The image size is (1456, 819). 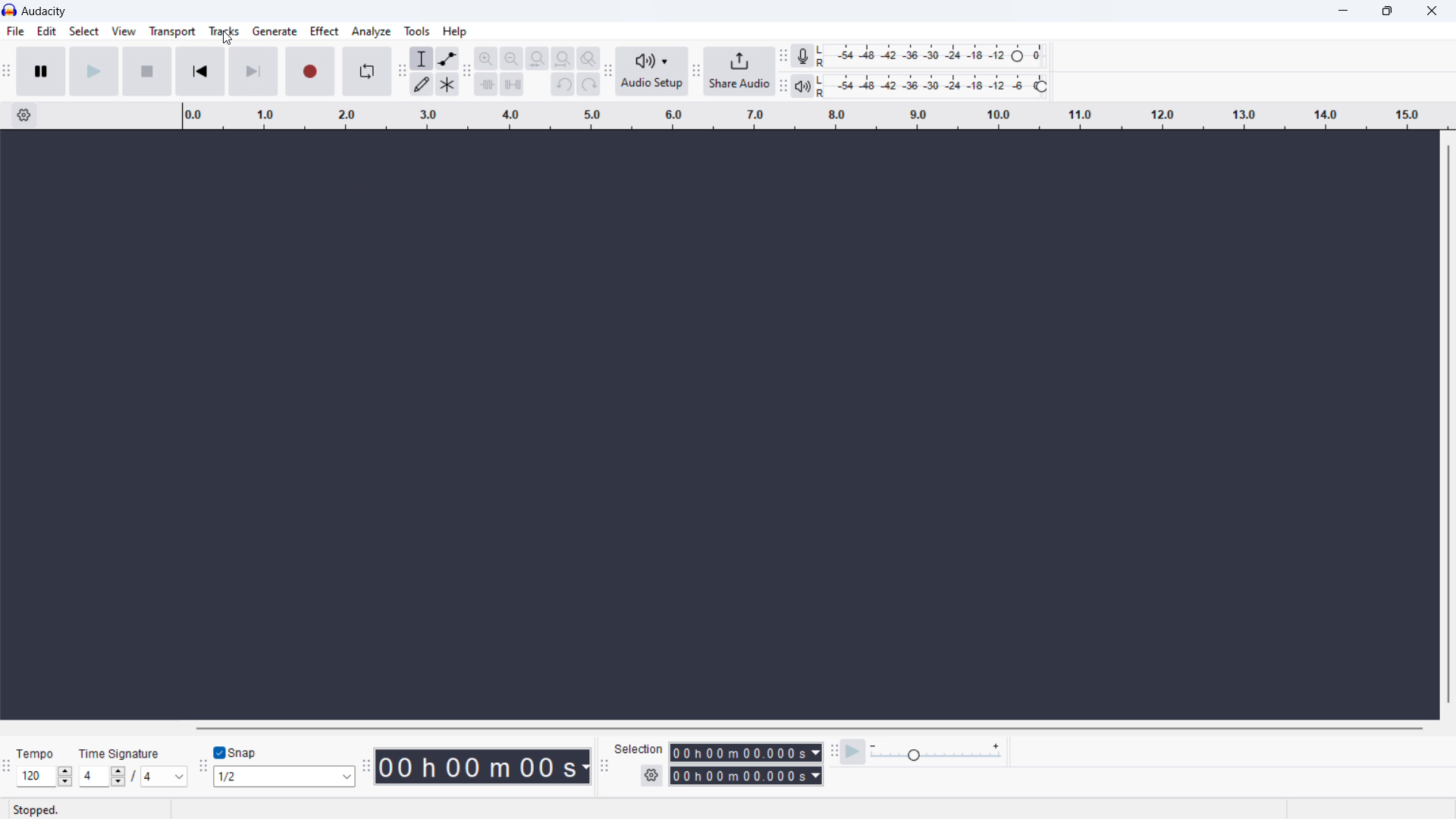 What do you see at coordinates (372, 32) in the screenshot?
I see `analyze` at bounding box center [372, 32].